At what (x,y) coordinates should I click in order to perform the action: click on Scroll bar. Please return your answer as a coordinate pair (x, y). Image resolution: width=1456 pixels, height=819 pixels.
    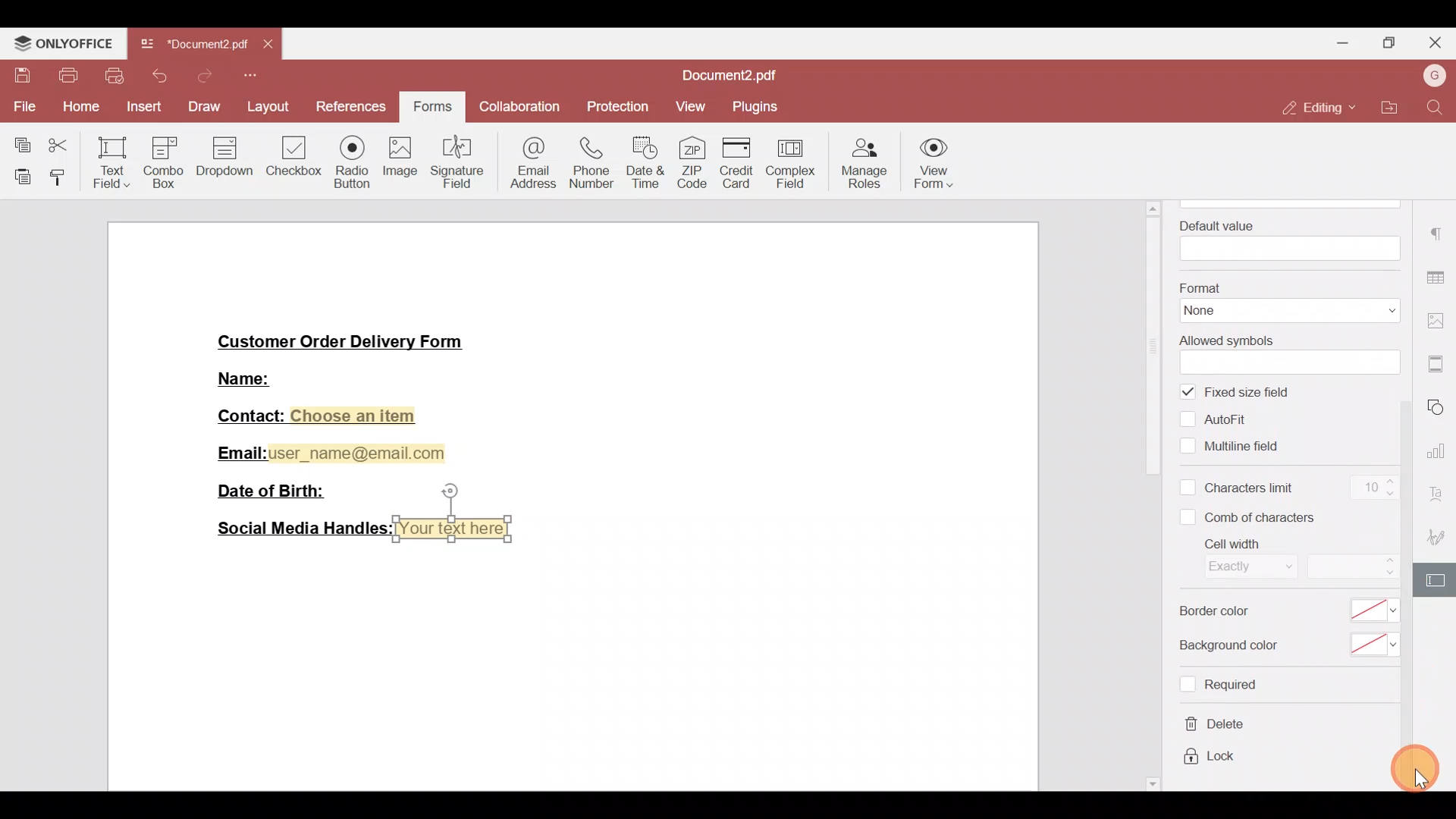
    Looking at the image, I should click on (1156, 494).